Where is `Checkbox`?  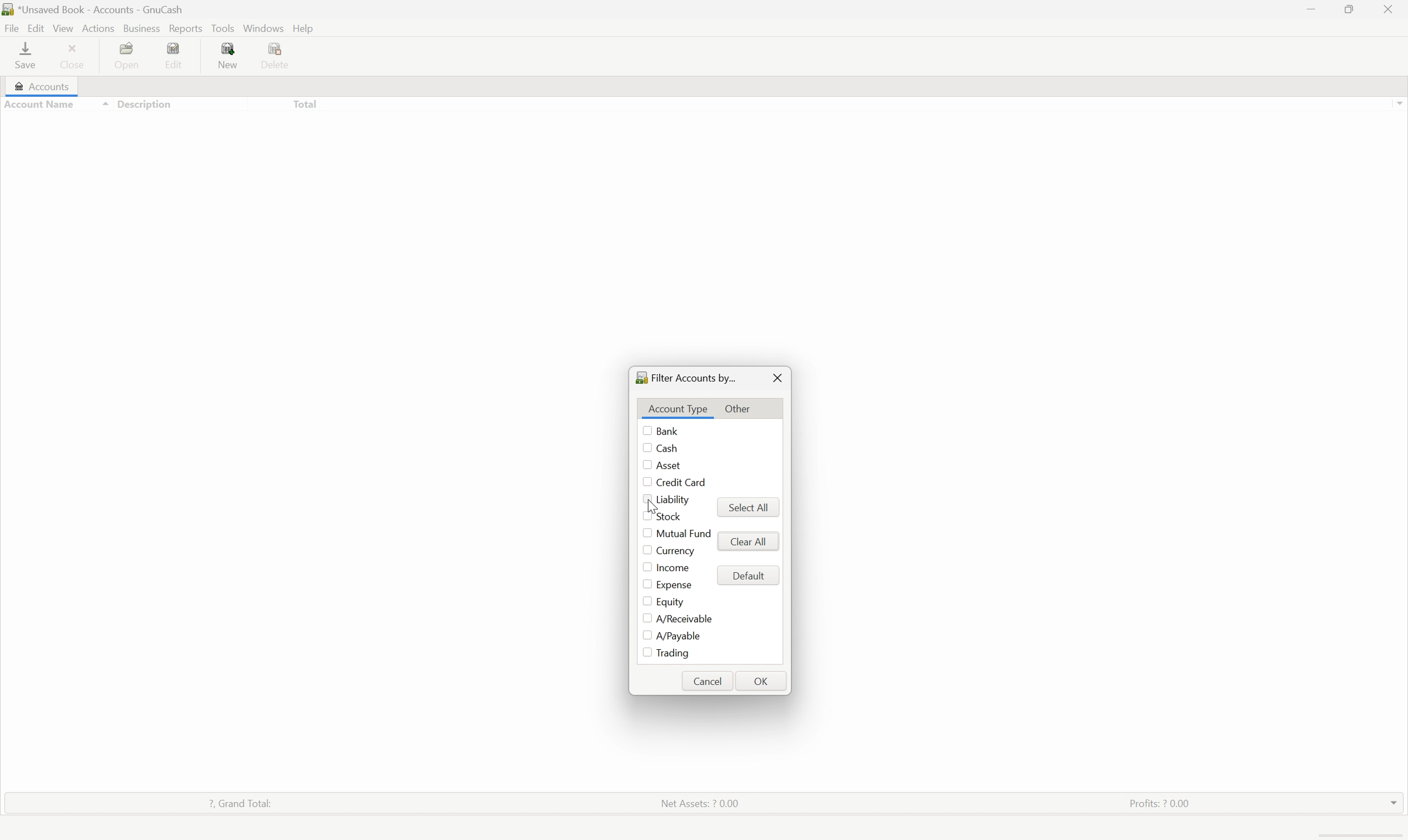
Checkbox is located at coordinates (641, 500).